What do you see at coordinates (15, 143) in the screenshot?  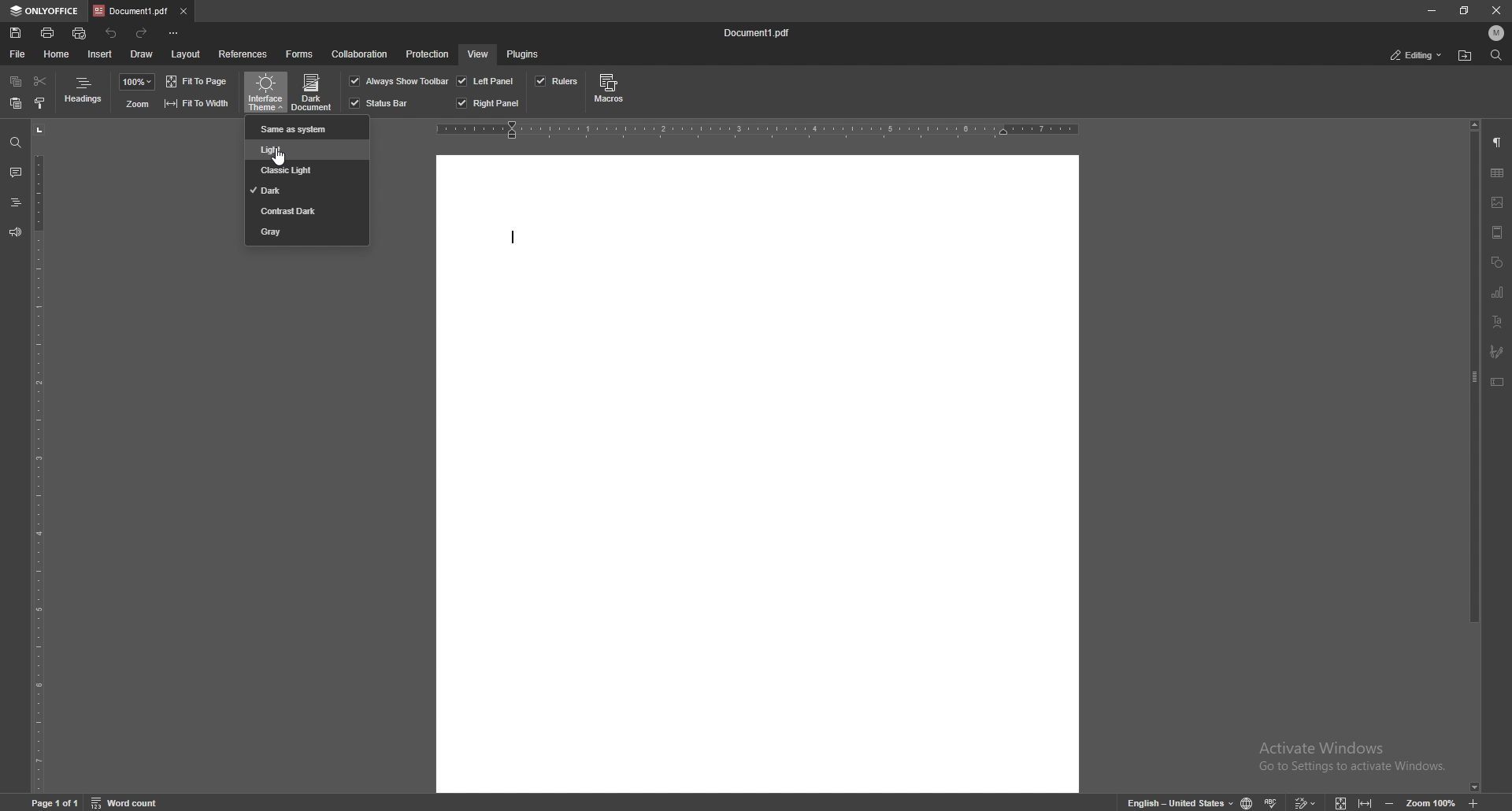 I see `find` at bounding box center [15, 143].